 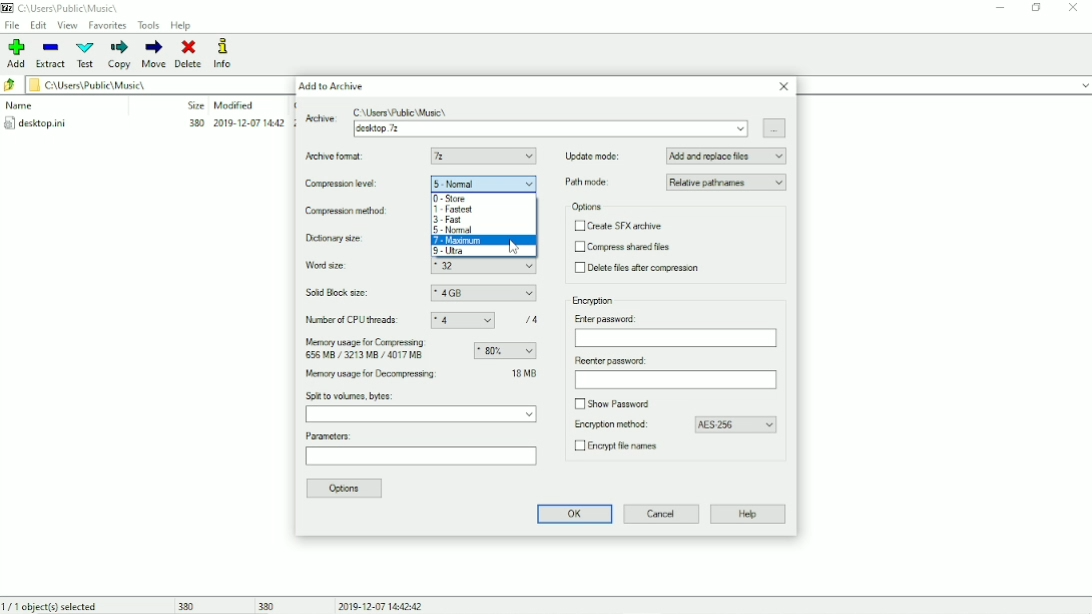 What do you see at coordinates (454, 210) in the screenshot?
I see `1 - Fastest` at bounding box center [454, 210].